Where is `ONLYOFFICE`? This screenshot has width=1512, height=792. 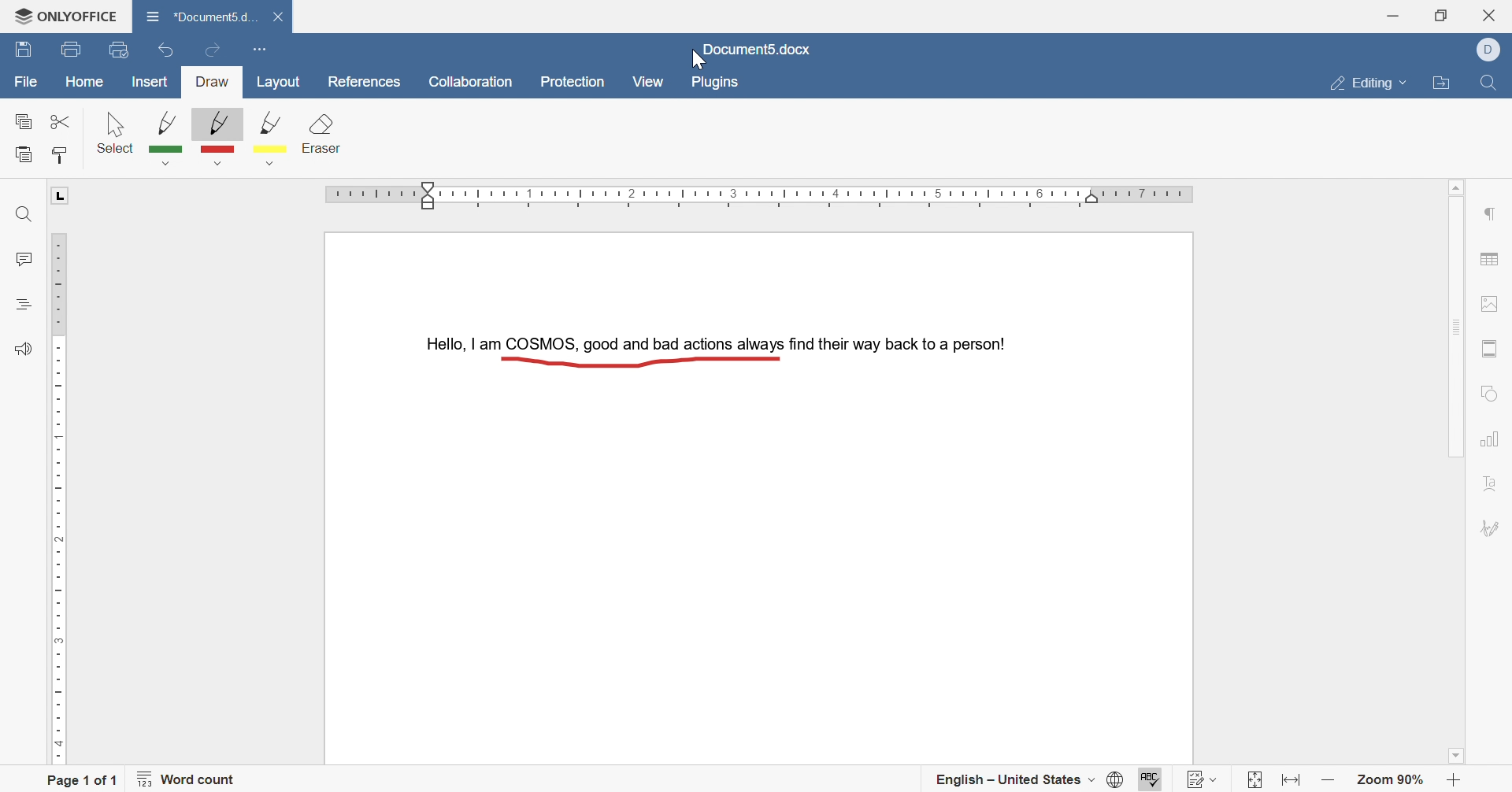
ONLYOFFICE is located at coordinates (60, 13).